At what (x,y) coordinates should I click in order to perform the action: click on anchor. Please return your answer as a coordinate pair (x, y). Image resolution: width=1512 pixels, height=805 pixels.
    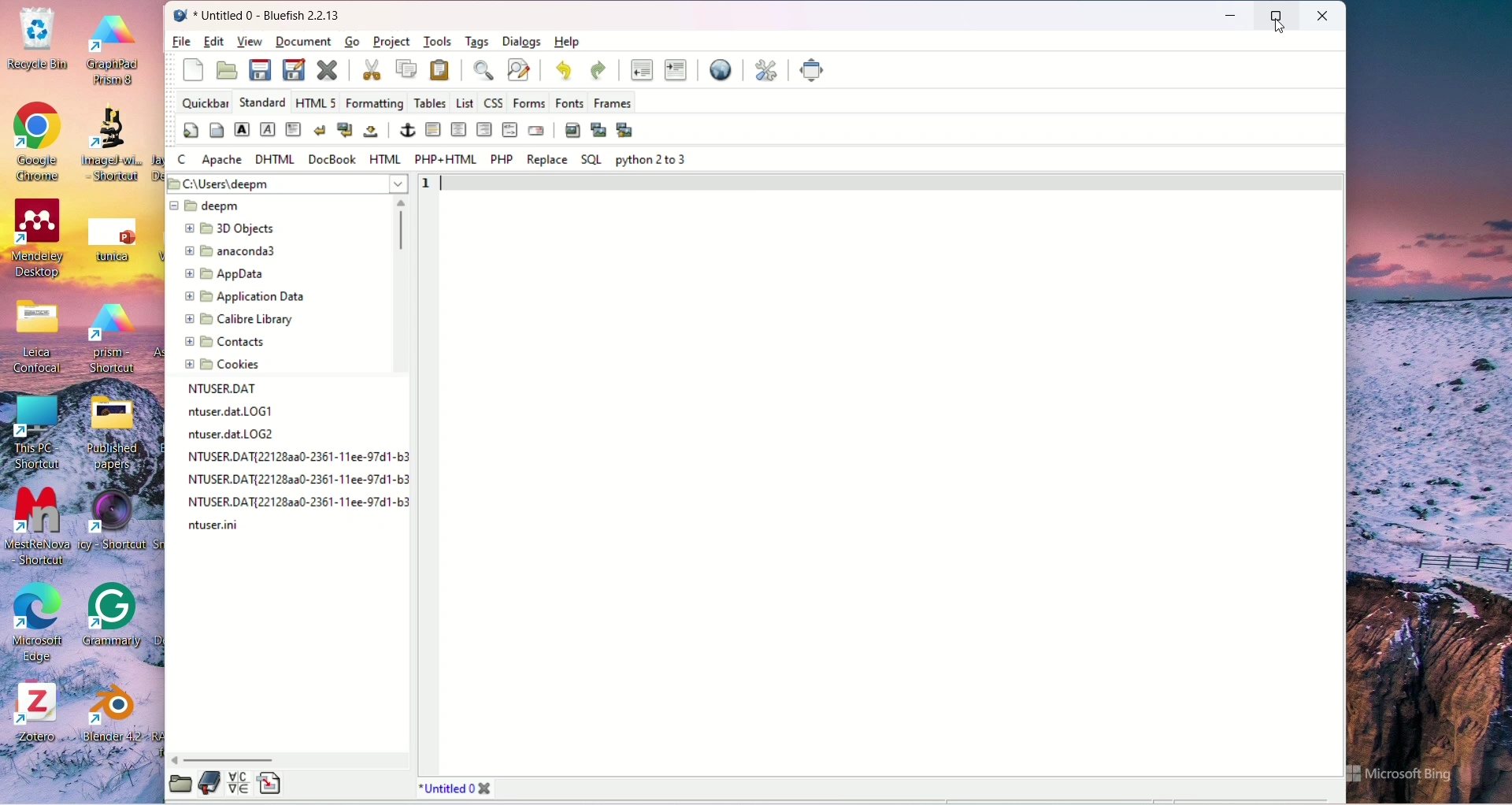
    Looking at the image, I should click on (409, 128).